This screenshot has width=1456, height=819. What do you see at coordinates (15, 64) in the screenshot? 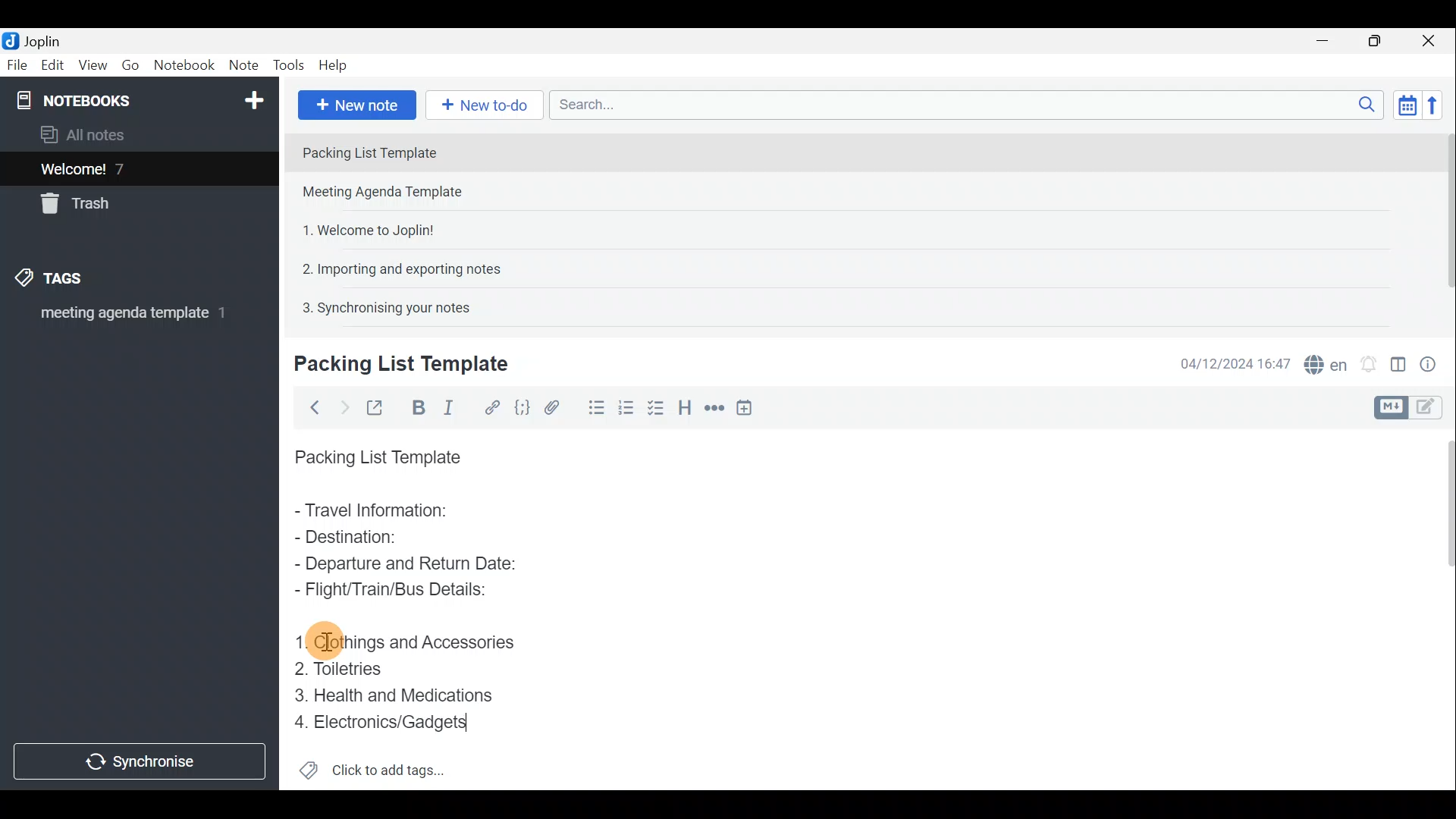
I see `File` at bounding box center [15, 64].